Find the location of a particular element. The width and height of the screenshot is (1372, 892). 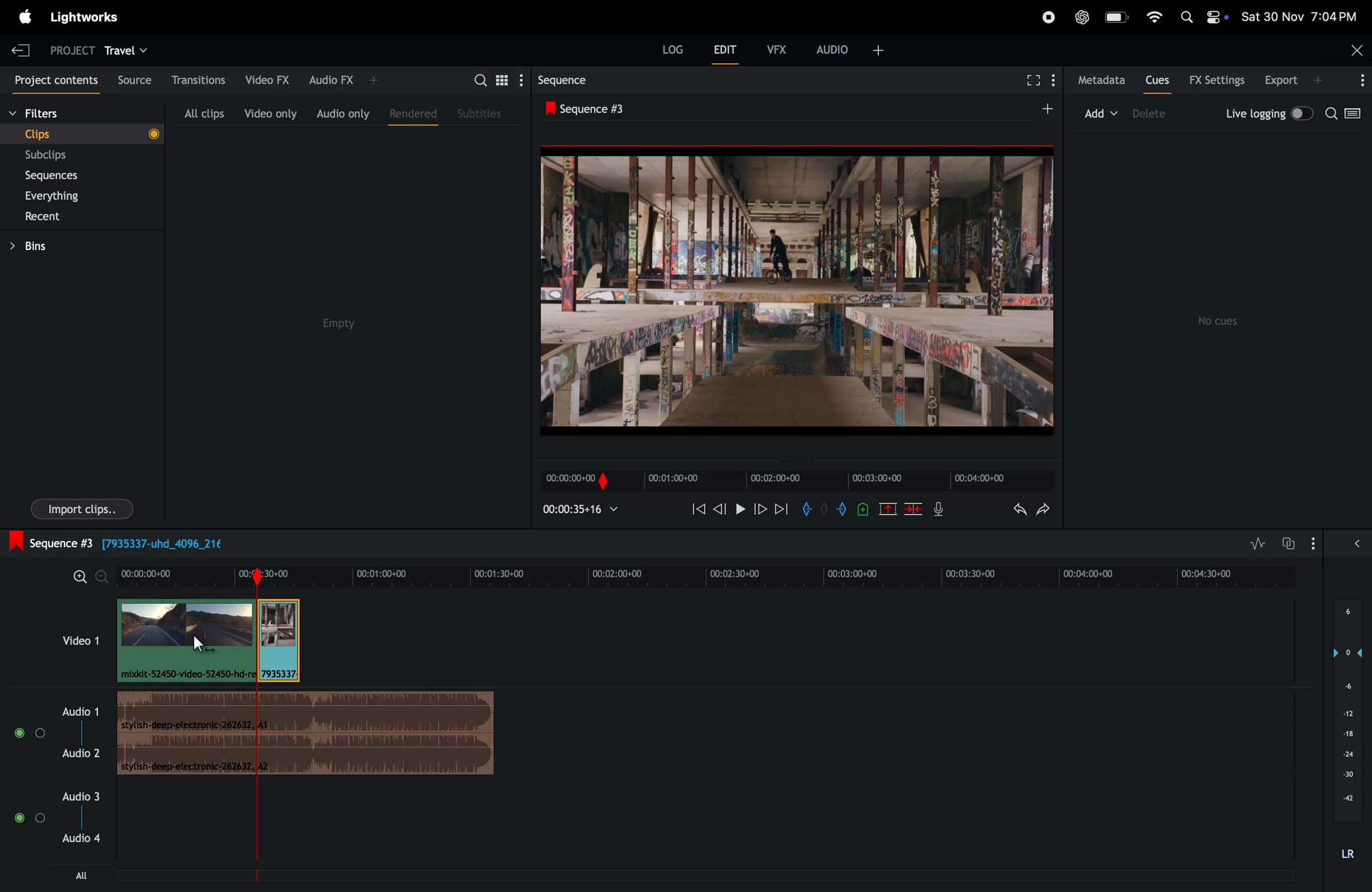

Audio is located at coordinates (1356, 546).